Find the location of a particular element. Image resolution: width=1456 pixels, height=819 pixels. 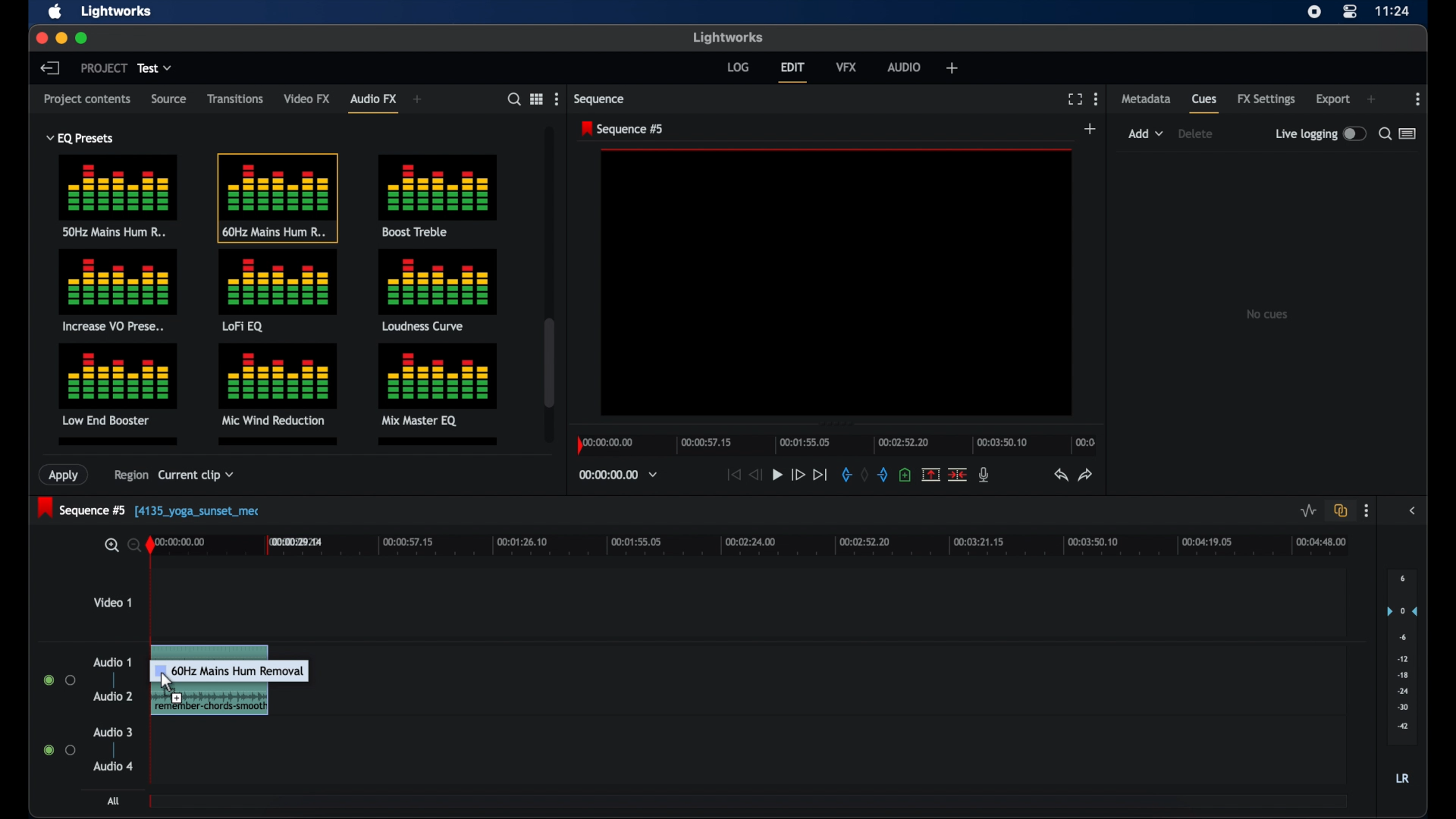

jump to start is located at coordinates (733, 475).